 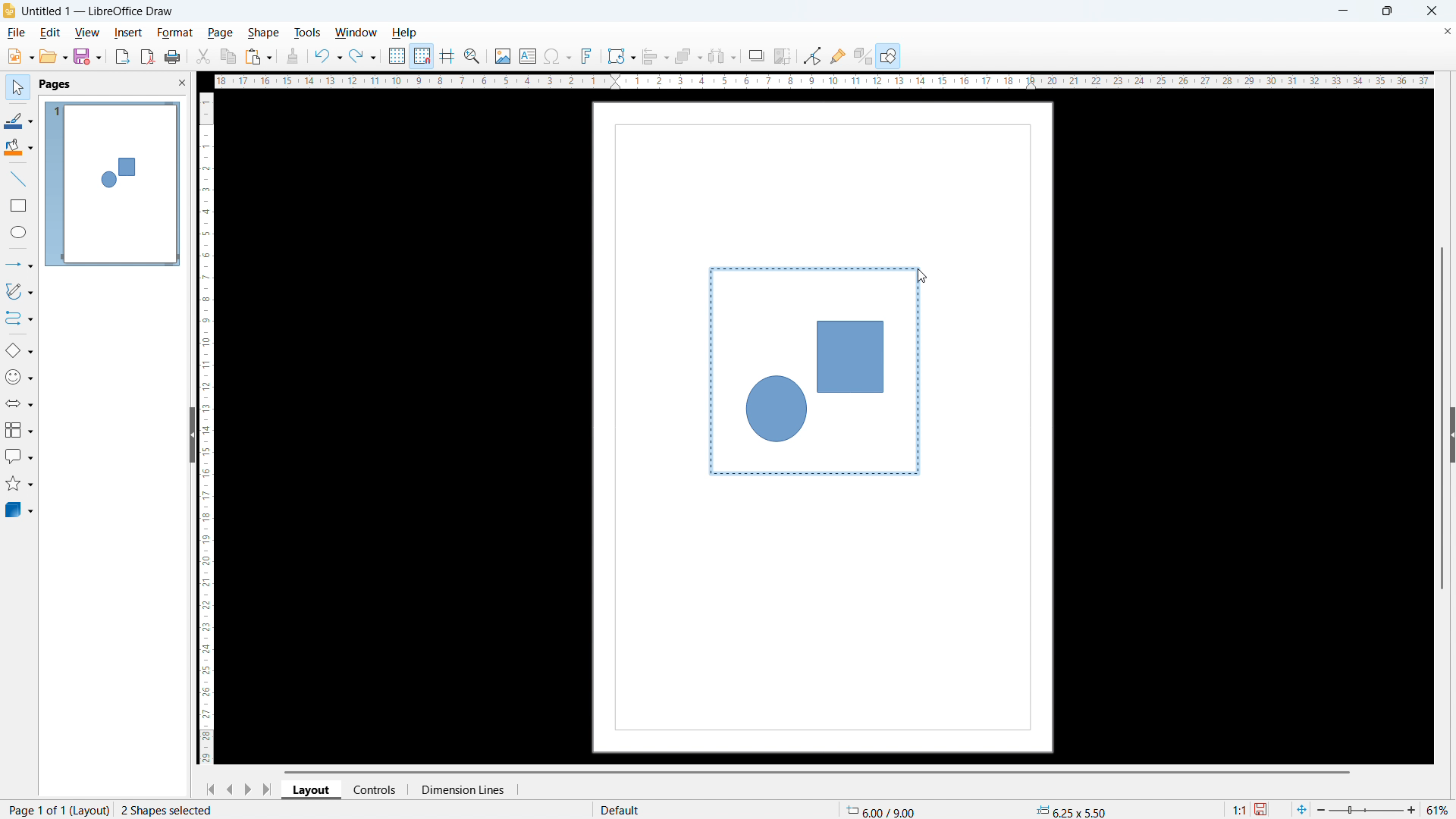 What do you see at coordinates (814, 57) in the screenshot?
I see `` at bounding box center [814, 57].